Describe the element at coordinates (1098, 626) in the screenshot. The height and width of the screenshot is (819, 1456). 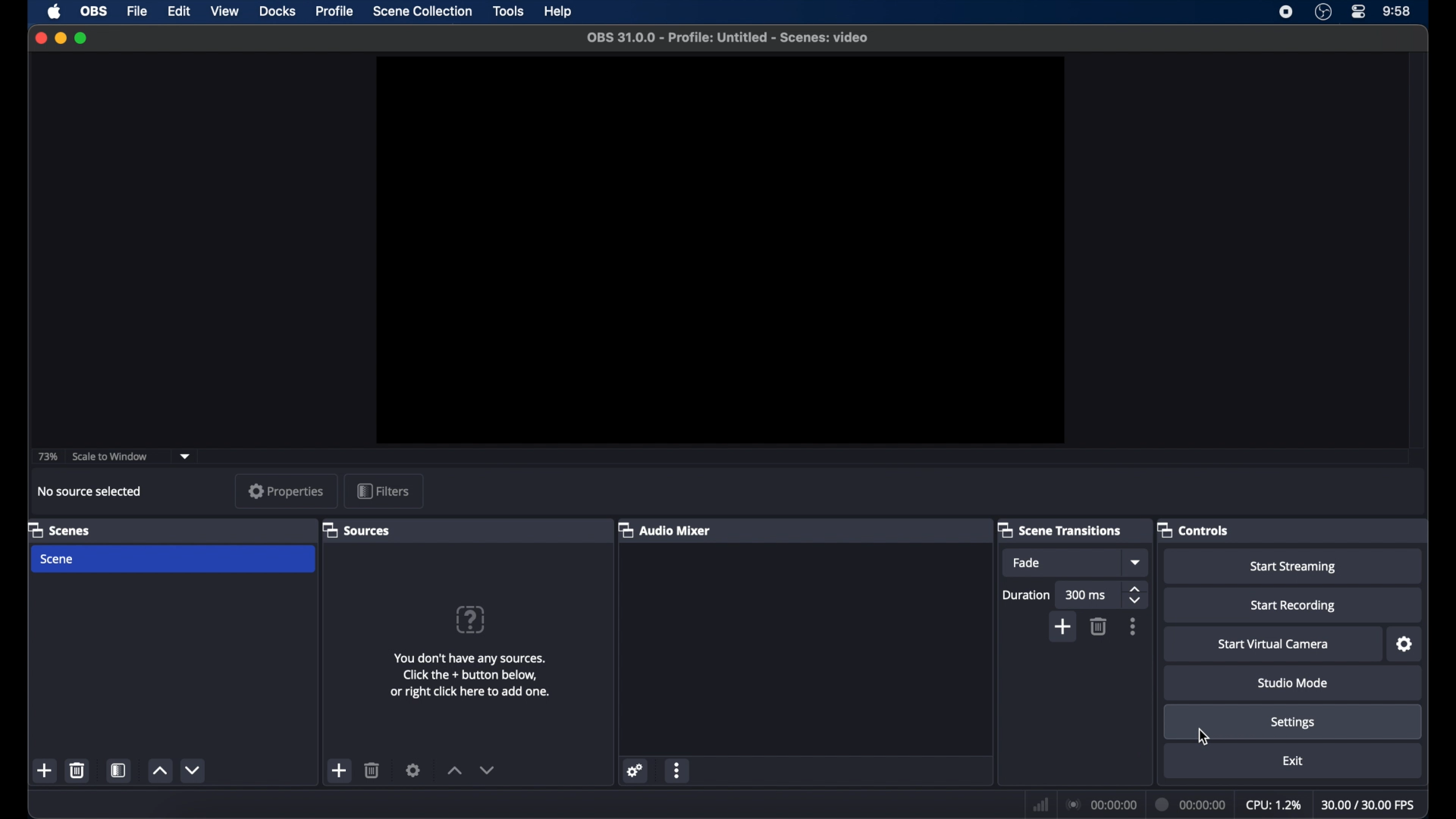
I see `delete` at that location.